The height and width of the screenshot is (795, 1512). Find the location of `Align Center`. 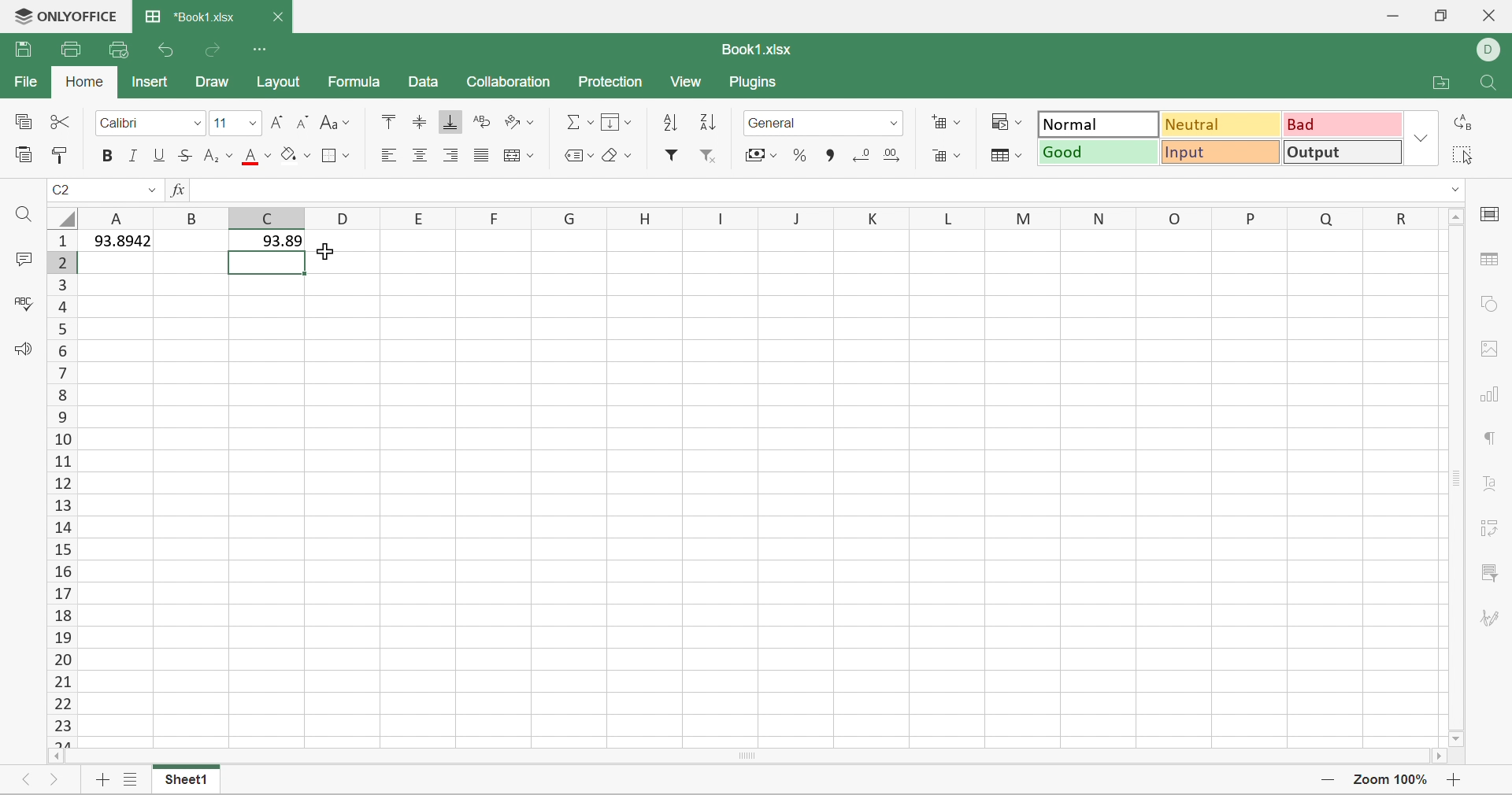

Align Center is located at coordinates (420, 154).